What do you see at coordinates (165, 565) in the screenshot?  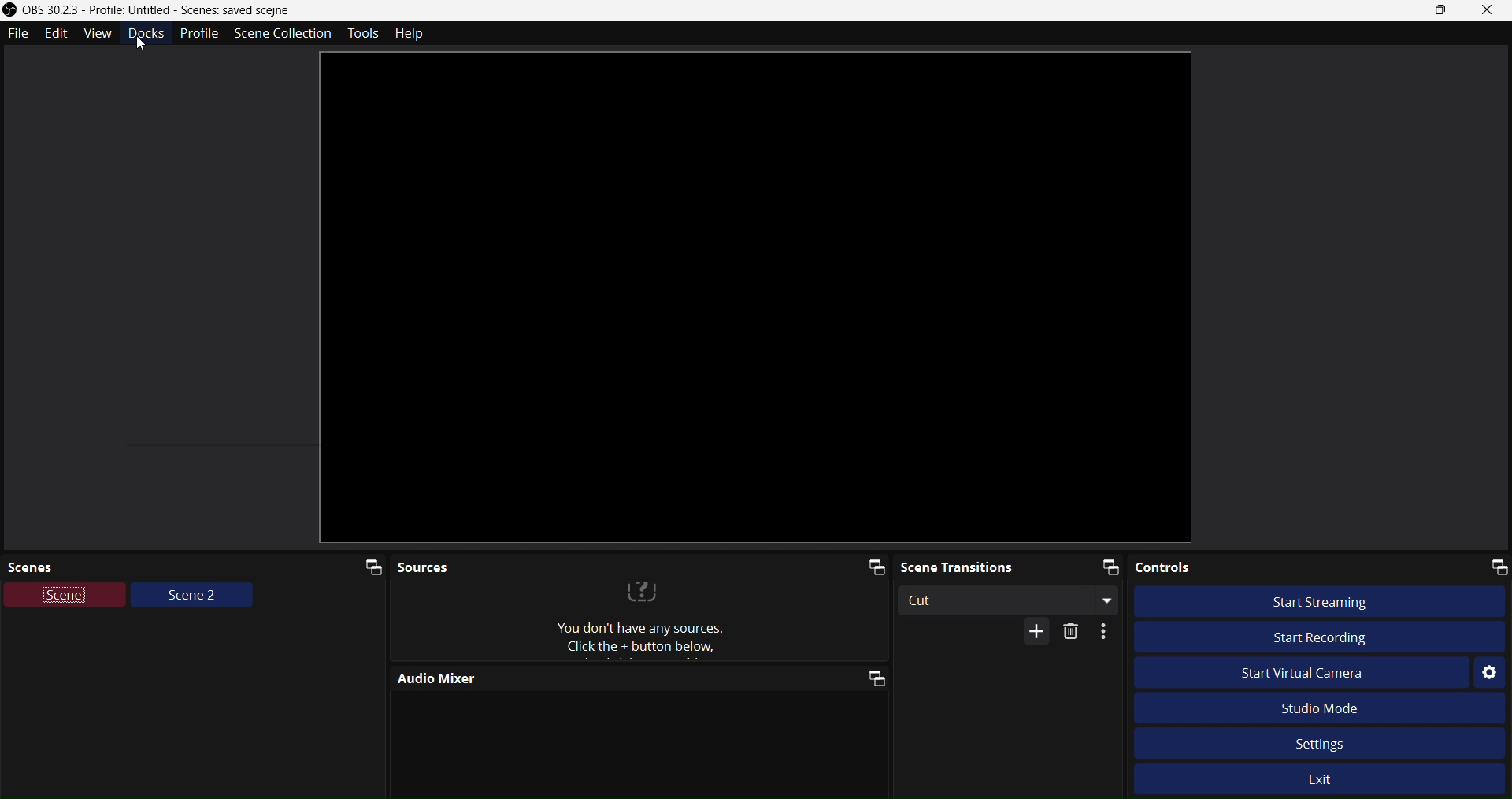 I see `Scenes` at bounding box center [165, 565].